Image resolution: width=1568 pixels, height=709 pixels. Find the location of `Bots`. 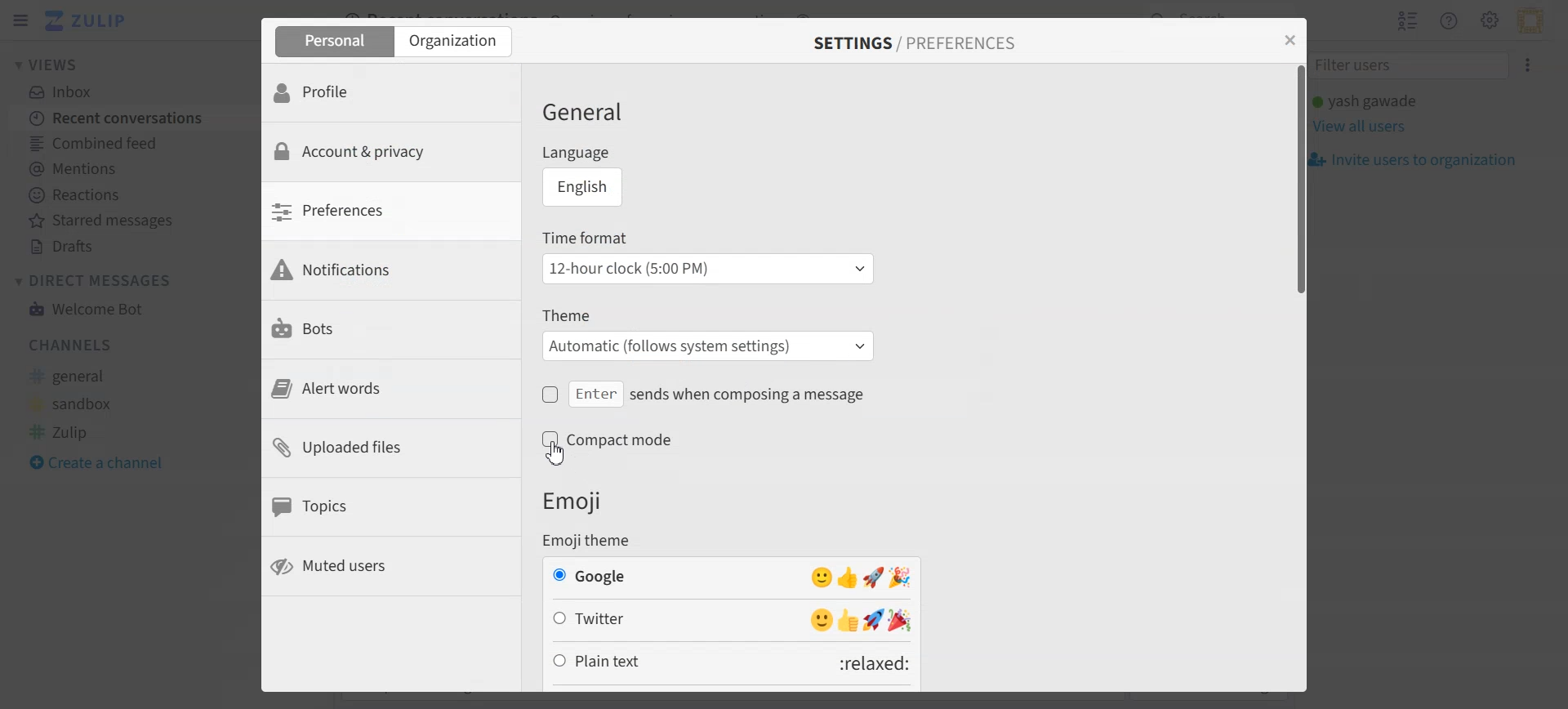

Bots is located at coordinates (390, 329).